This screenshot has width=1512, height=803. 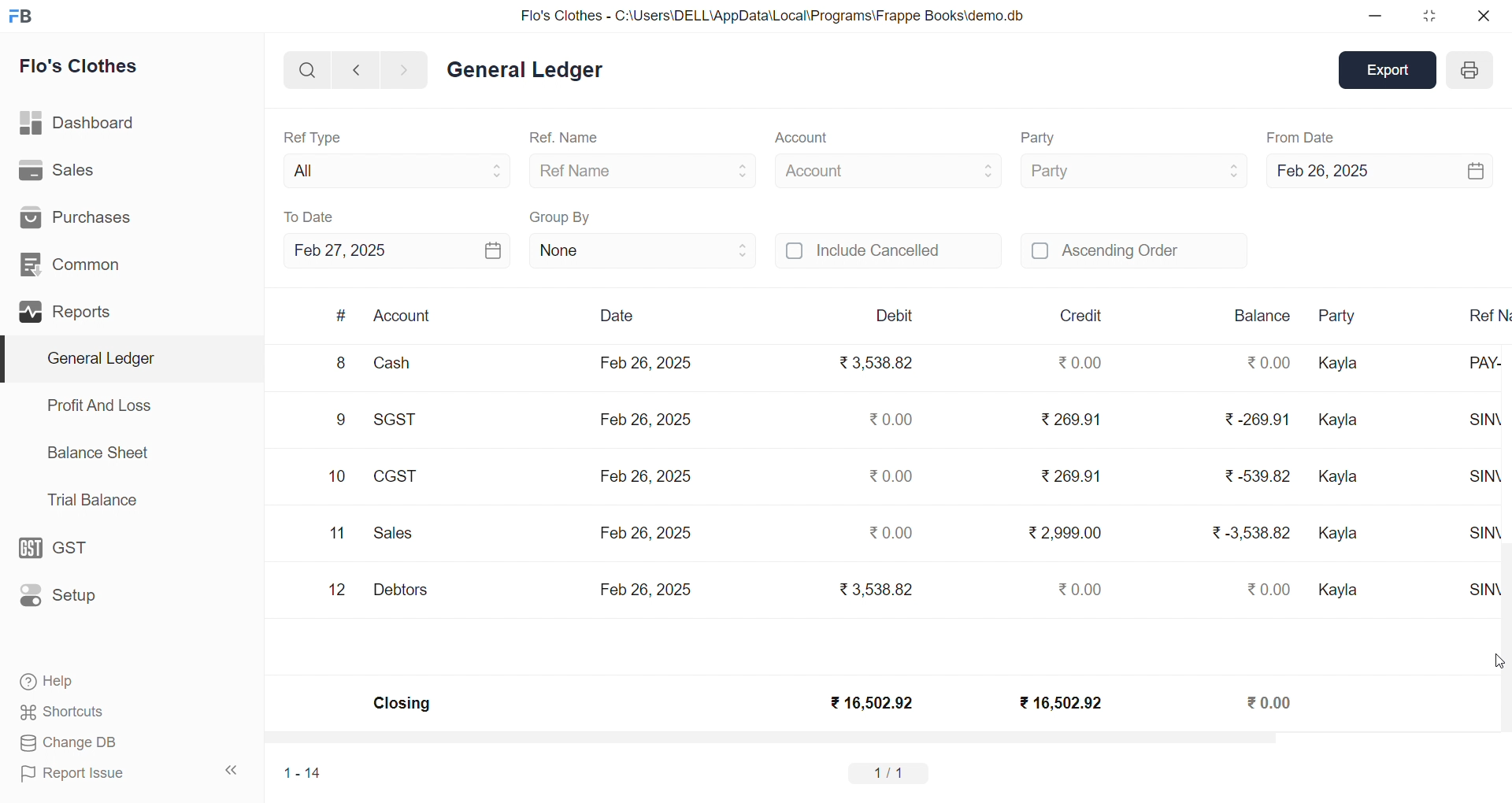 I want to click on ₹3538.82, so click(x=873, y=587).